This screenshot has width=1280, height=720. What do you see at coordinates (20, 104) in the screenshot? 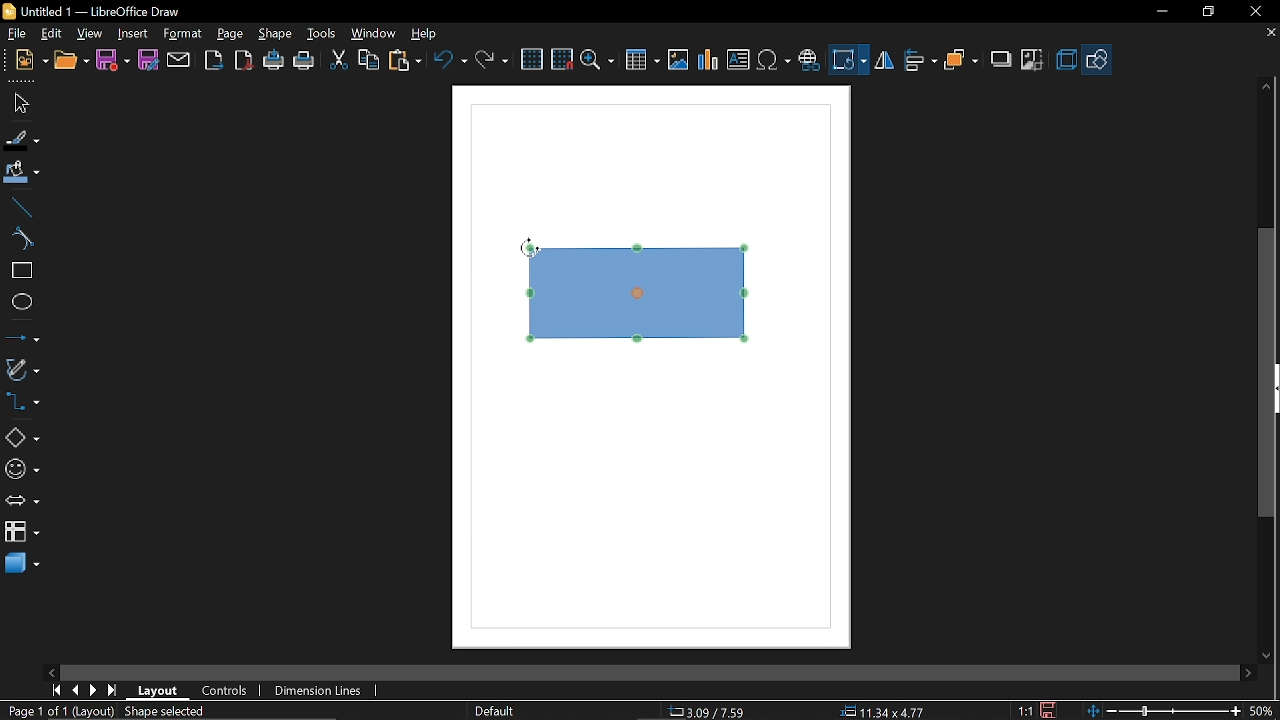
I see `Select` at bounding box center [20, 104].